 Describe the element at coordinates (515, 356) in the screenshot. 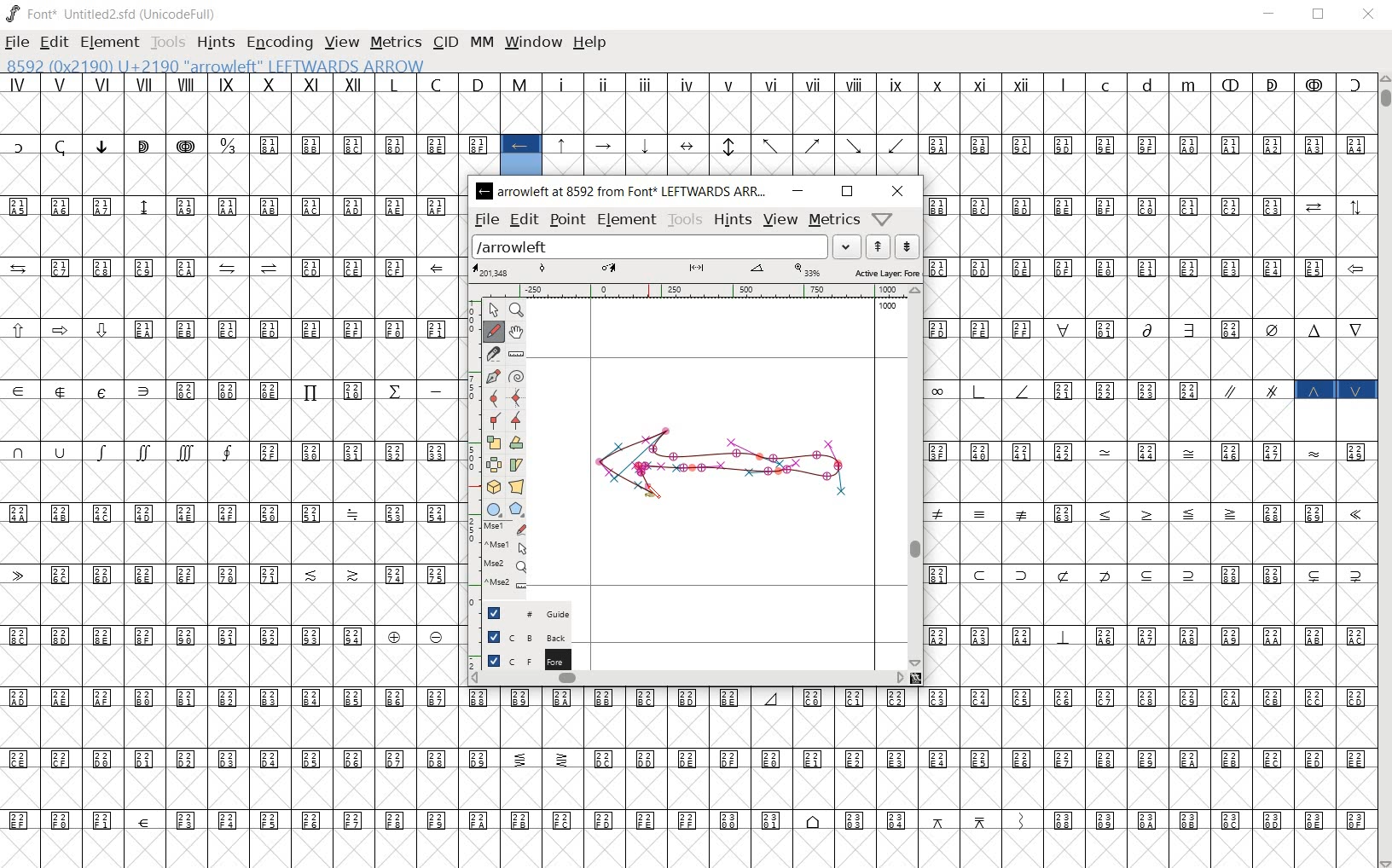

I see `measure a distance, angle between points` at that location.